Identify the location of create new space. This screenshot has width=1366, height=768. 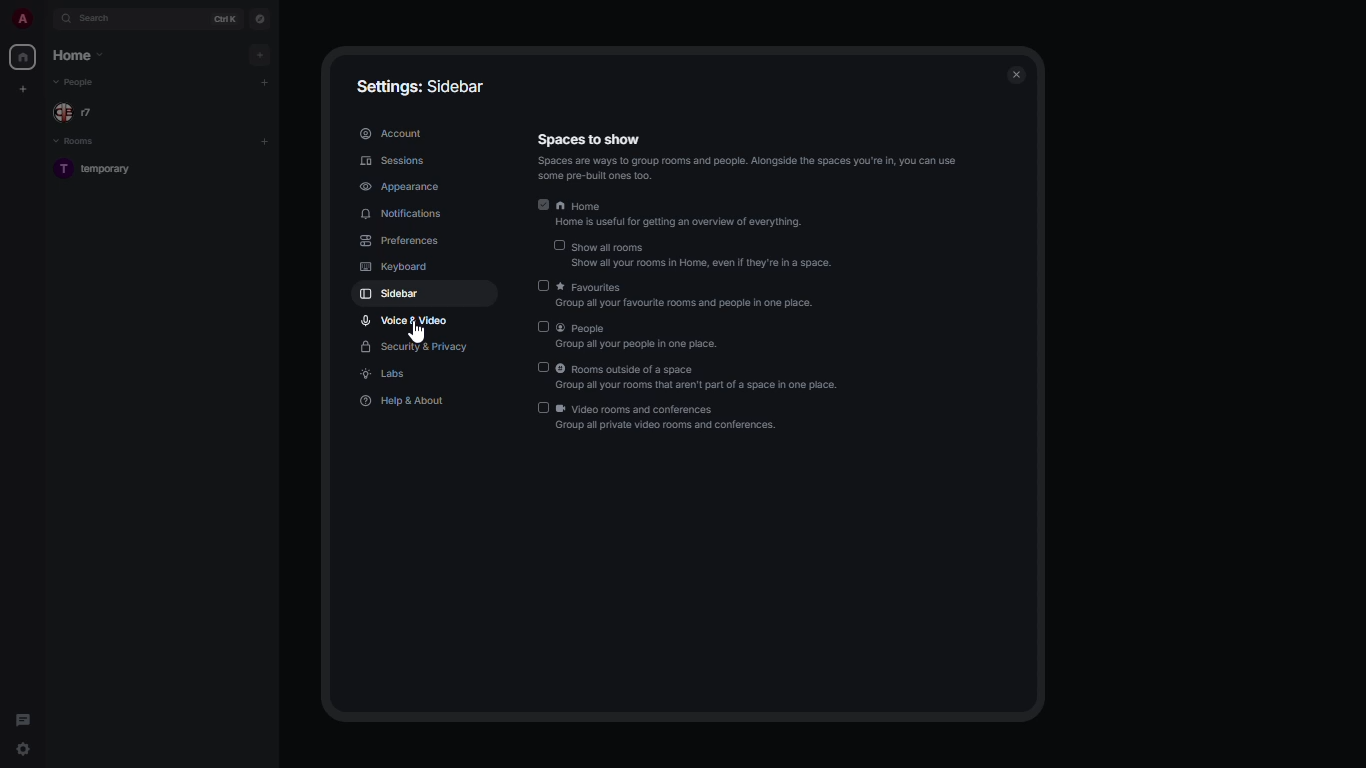
(20, 89).